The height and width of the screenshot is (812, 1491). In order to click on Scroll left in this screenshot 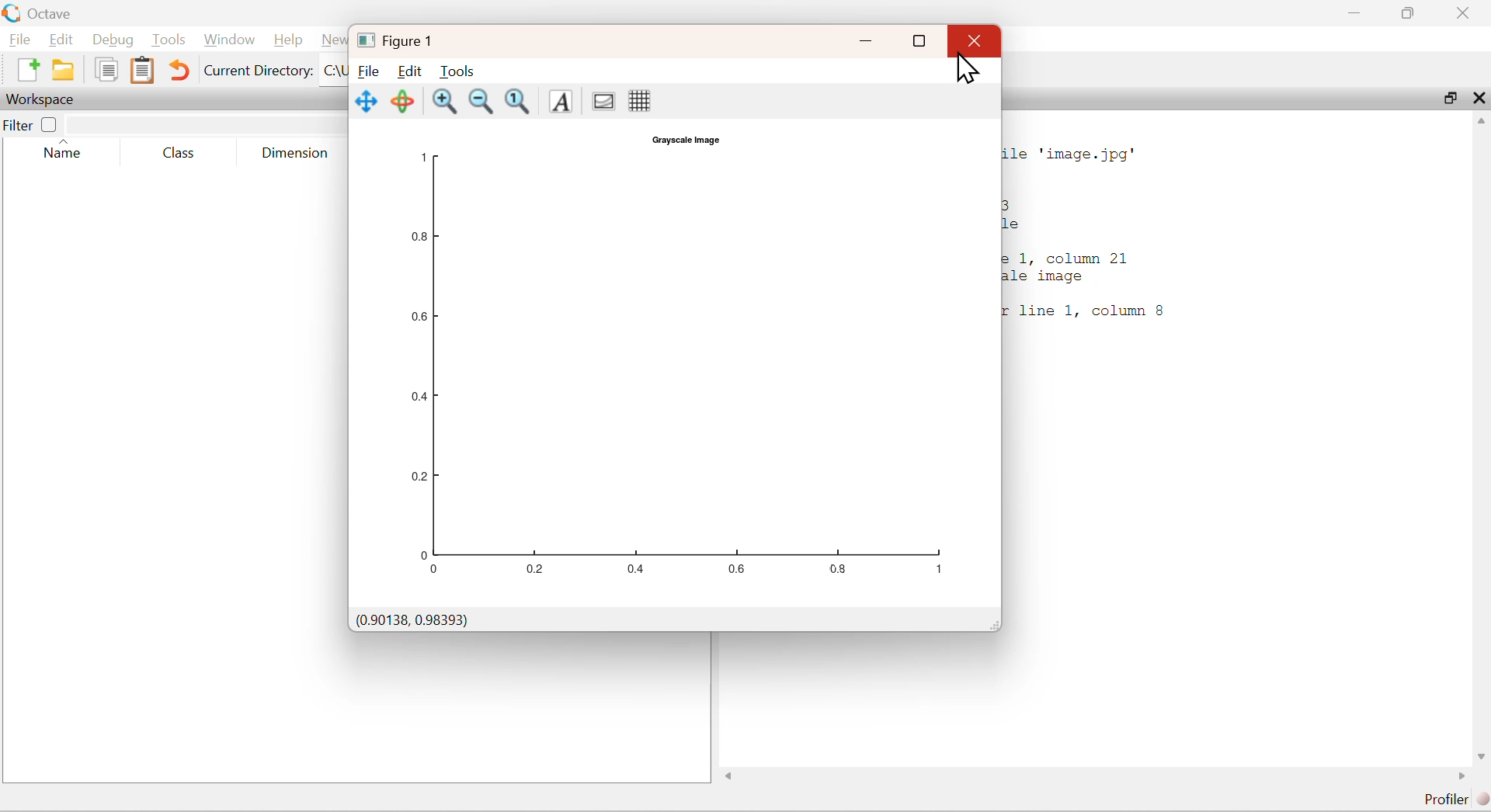, I will do `click(731, 777)`.